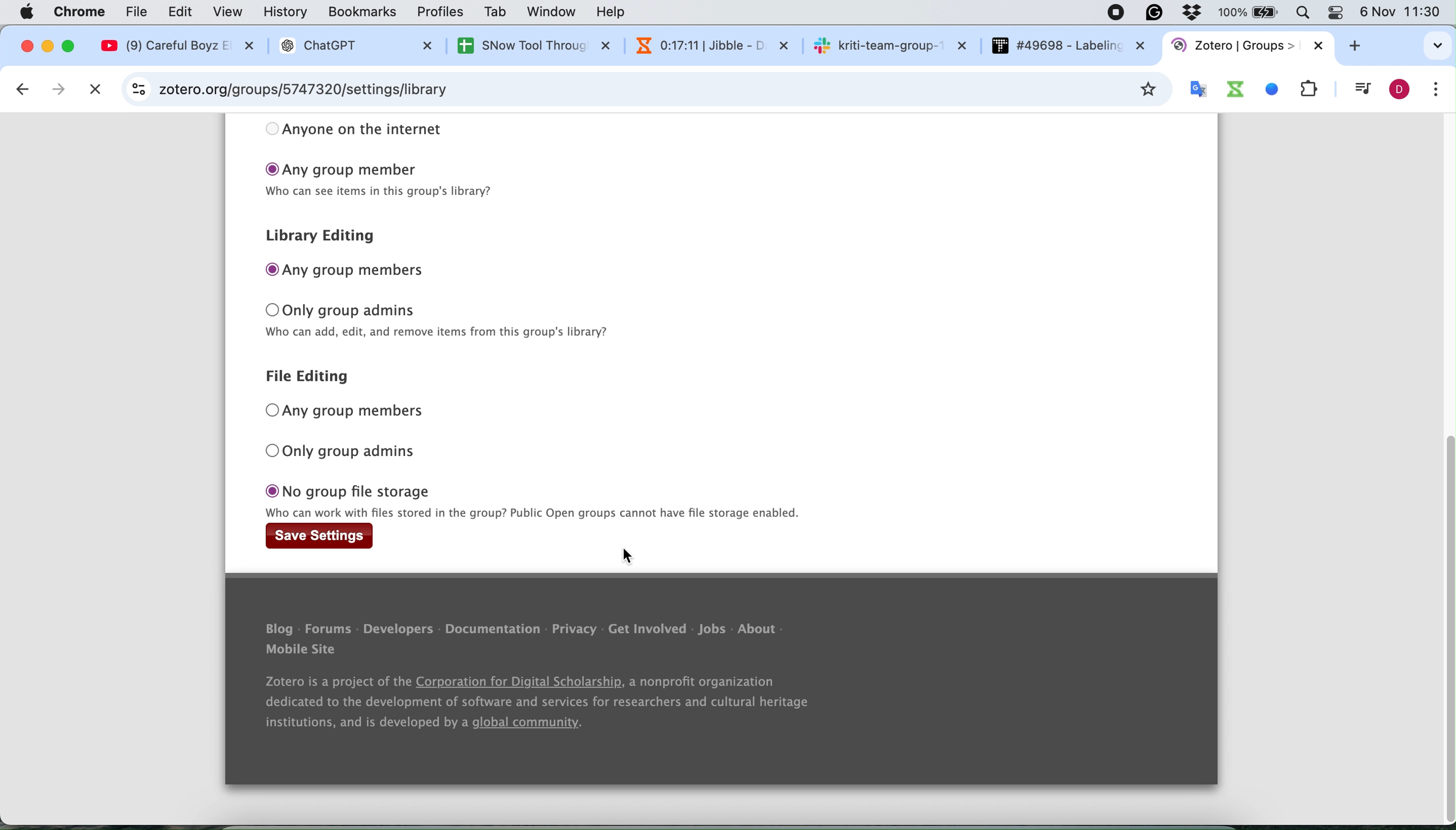  What do you see at coordinates (446, 330) in the screenshot?
I see `text` at bounding box center [446, 330].